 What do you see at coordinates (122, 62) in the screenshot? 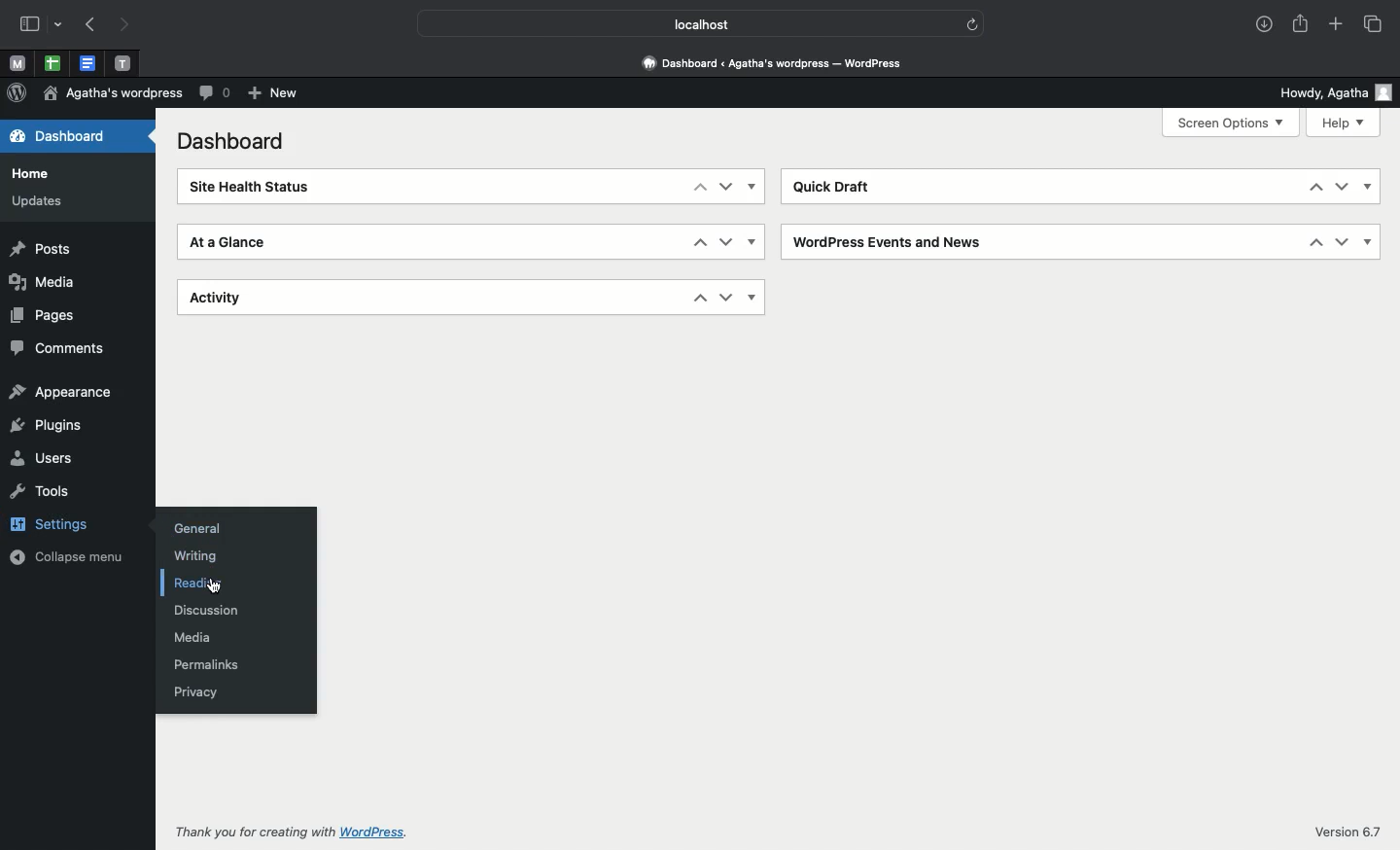
I see `Pinned tabs` at bounding box center [122, 62].